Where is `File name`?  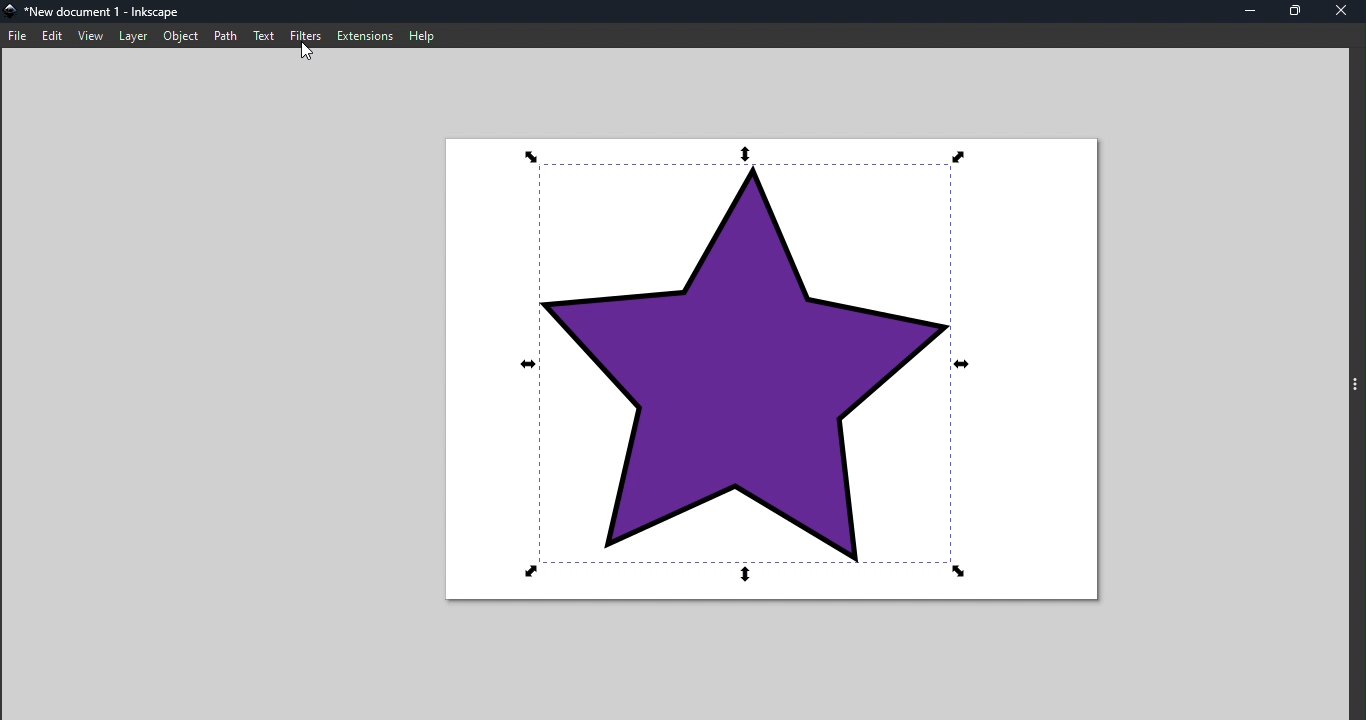 File name is located at coordinates (97, 12).